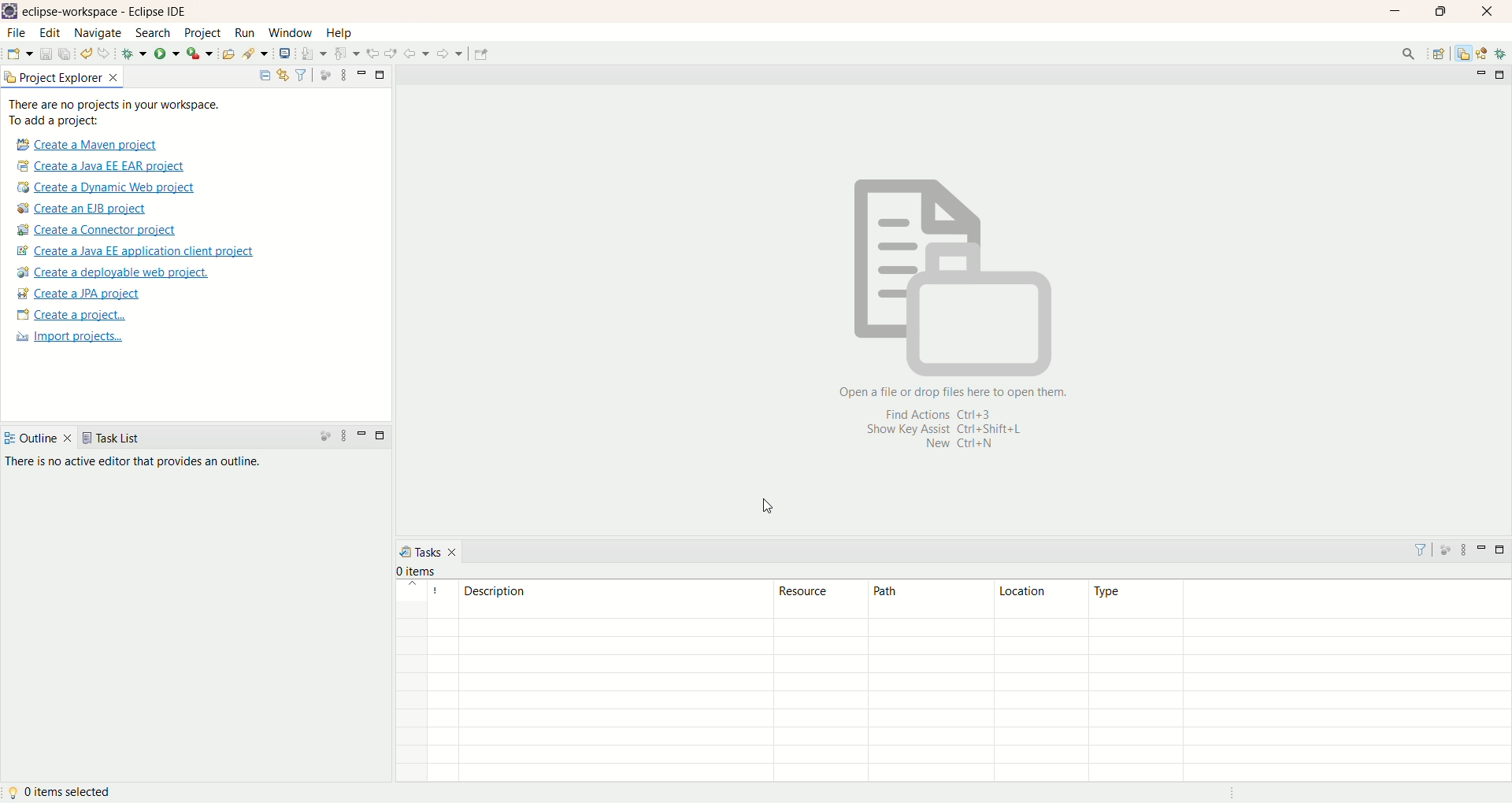 This screenshot has width=1512, height=803. Describe the element at coordinates (77, 294) in the screenshot. I see `create a JPA project` at that location.